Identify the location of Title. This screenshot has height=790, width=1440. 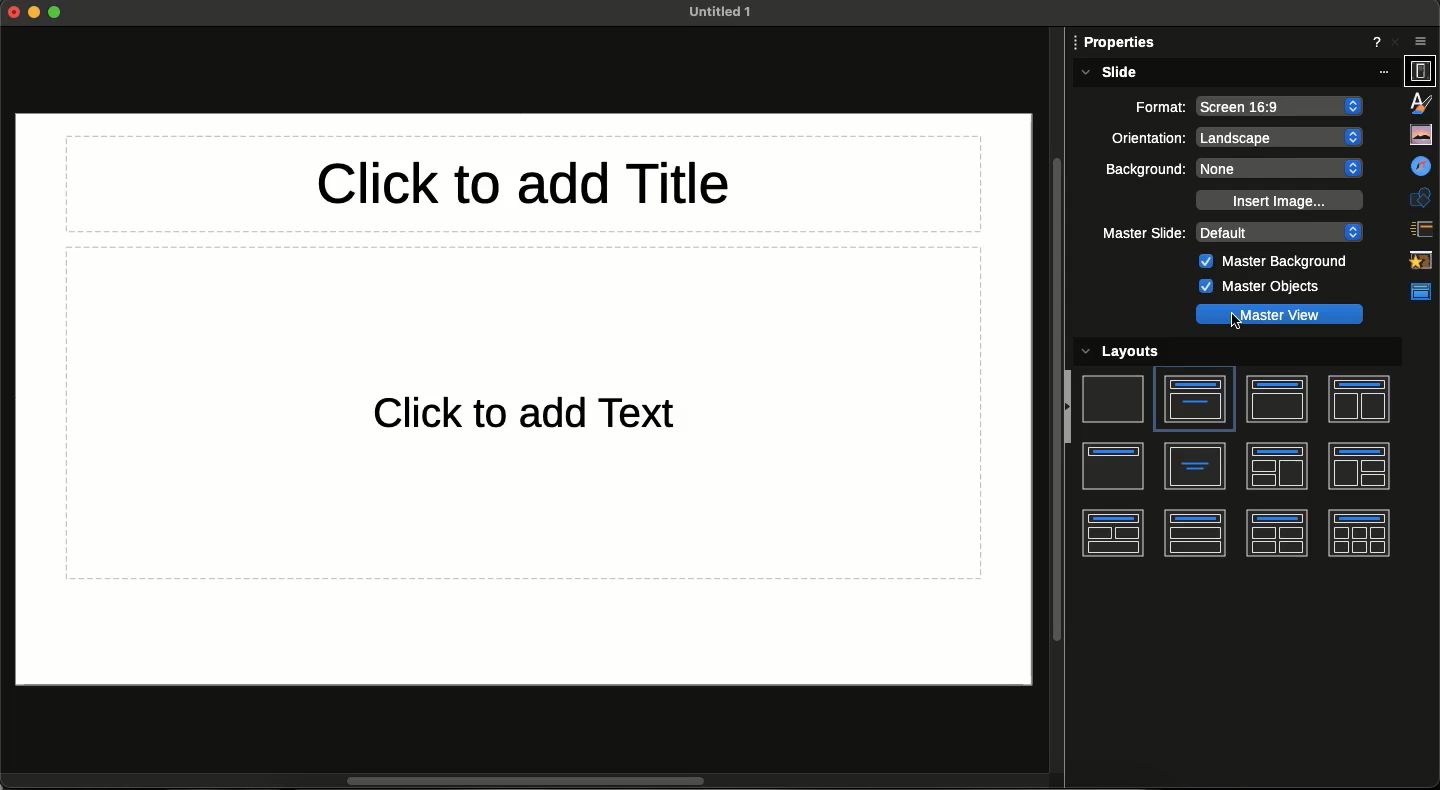
(540, 186).